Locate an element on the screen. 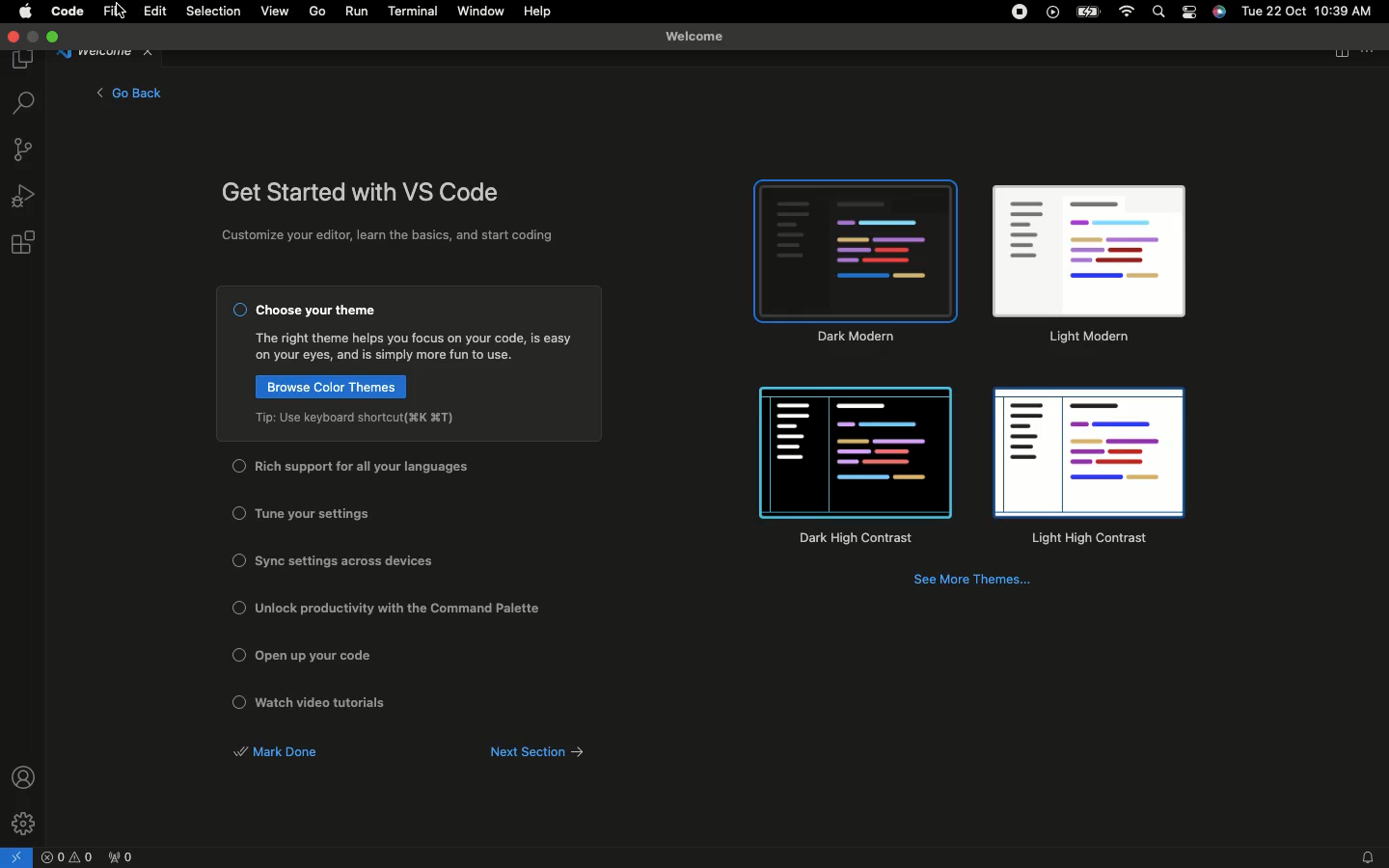  Close is located at coordinates (12, 38).